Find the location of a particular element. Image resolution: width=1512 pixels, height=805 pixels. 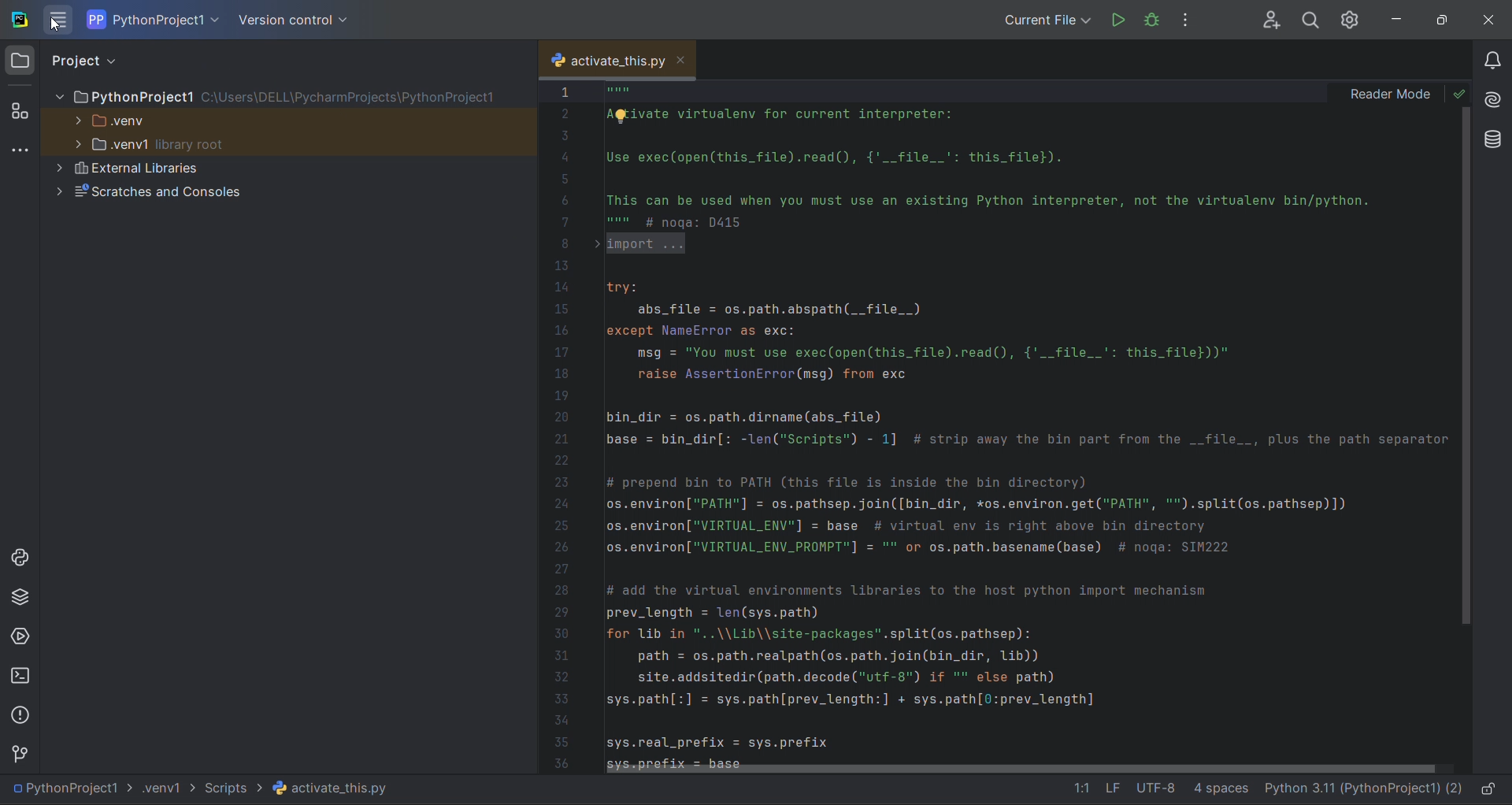

line no is located at coordinates (561, 425).